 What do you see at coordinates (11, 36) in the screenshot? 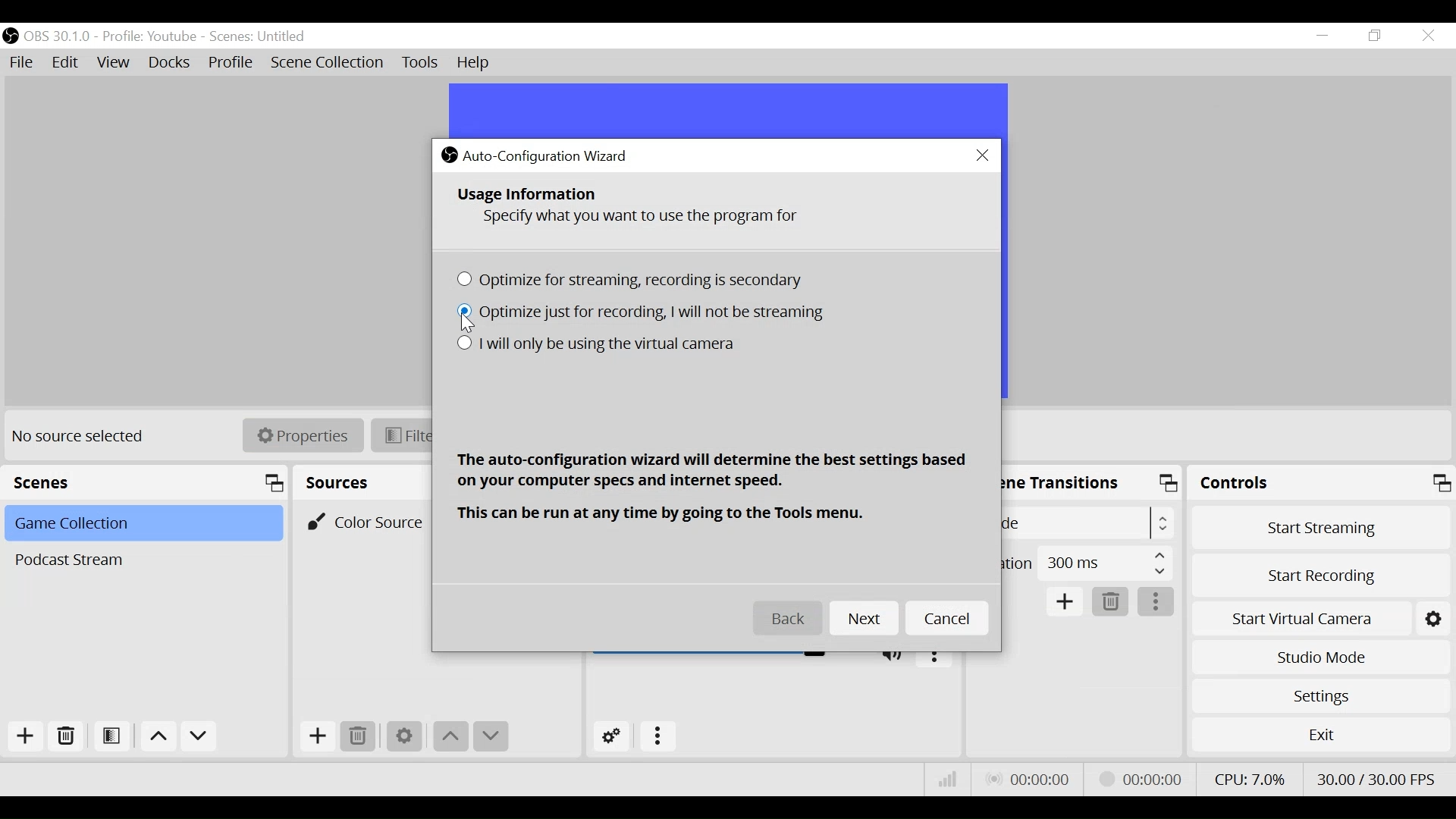
I see `OBS Desktop icon` at bounding box center [11, 36].